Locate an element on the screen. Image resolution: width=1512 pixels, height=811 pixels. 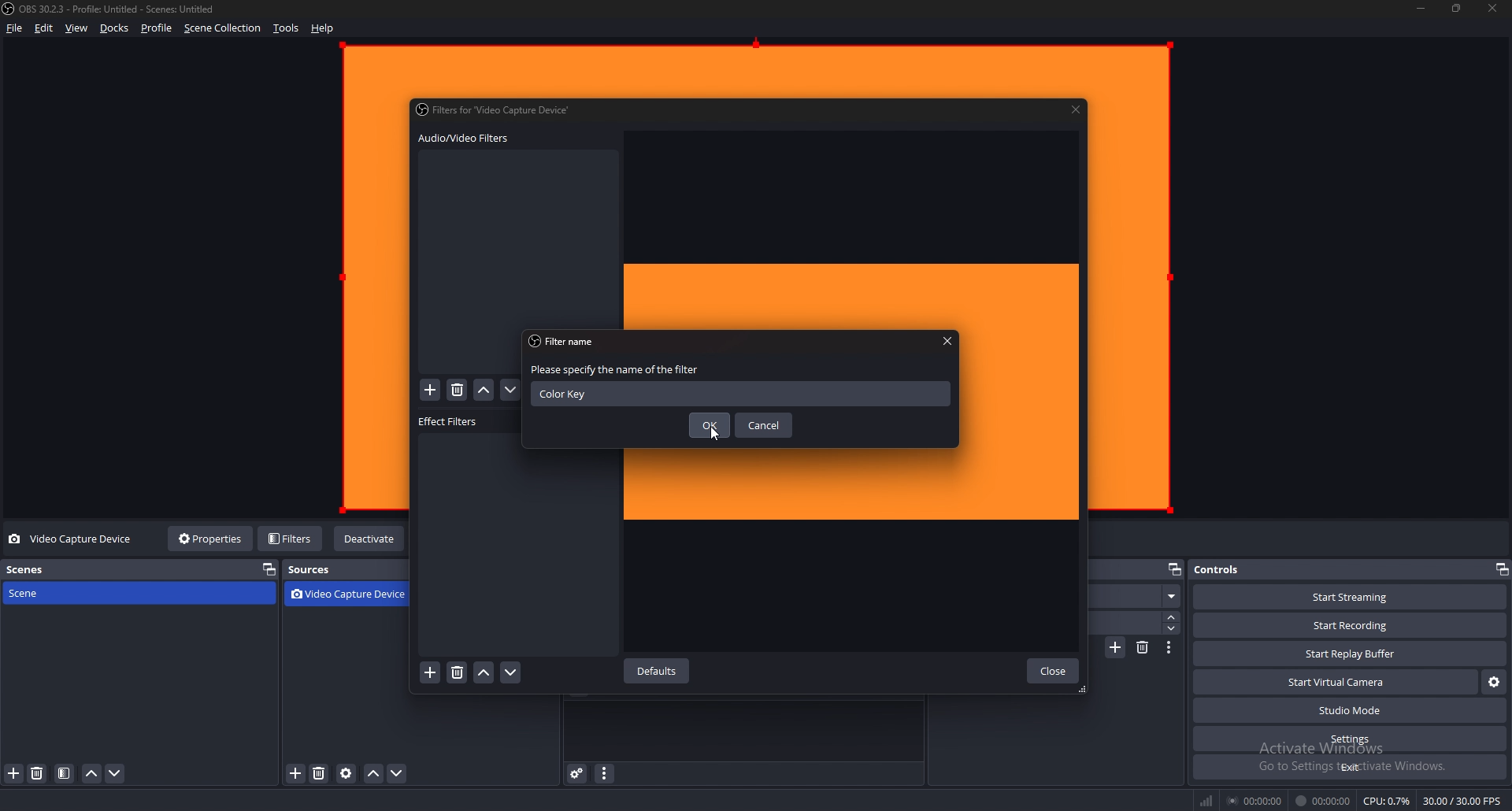
00:00:00 is located at coordinates (1254, 801).